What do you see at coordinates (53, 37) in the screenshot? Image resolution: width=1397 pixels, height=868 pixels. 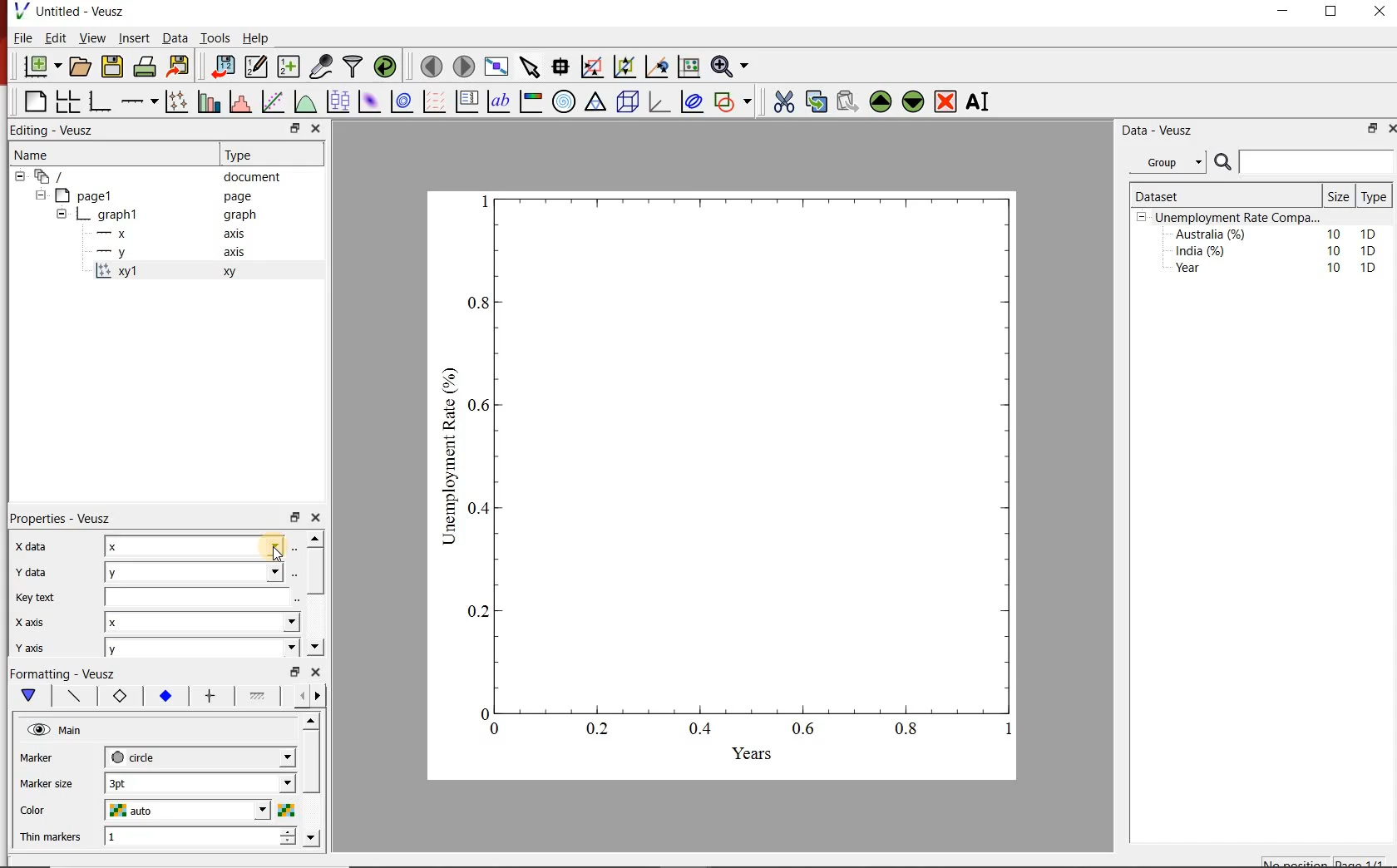 I see `Edit` at bounding box center [53, 37].